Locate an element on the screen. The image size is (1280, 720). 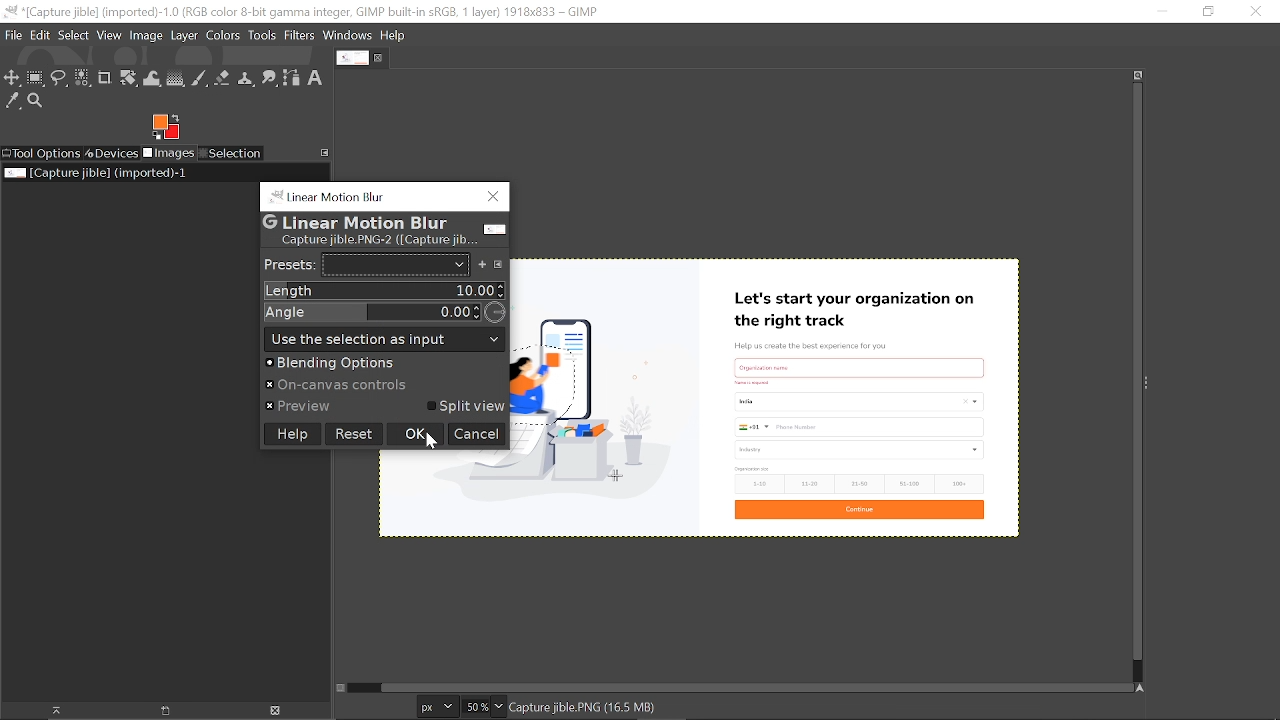
Zoom tool is located at coordinates (38, 103).